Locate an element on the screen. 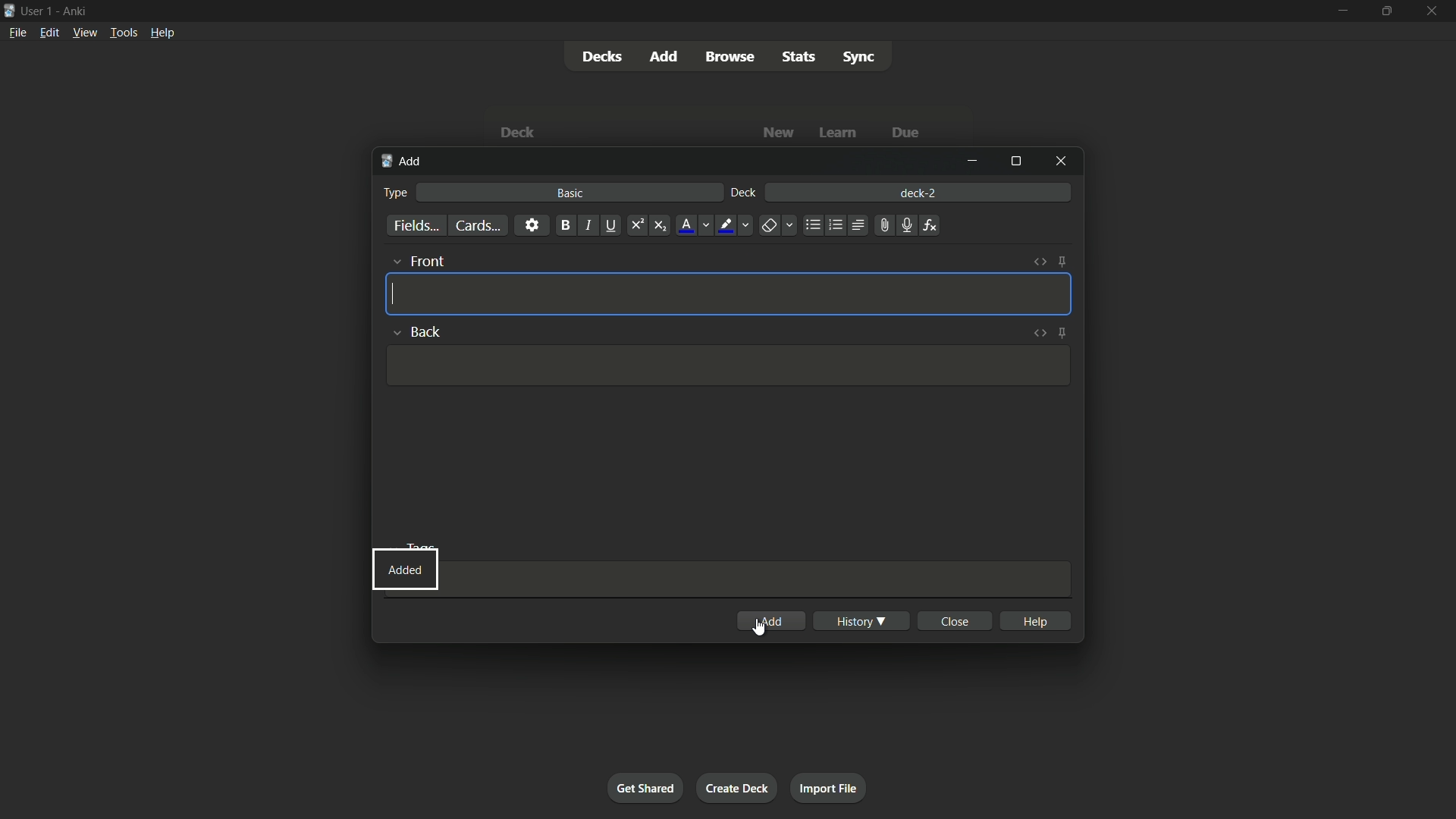 This screenshot has height=819, width=1456. close window is located at coordinates (1058, 161).